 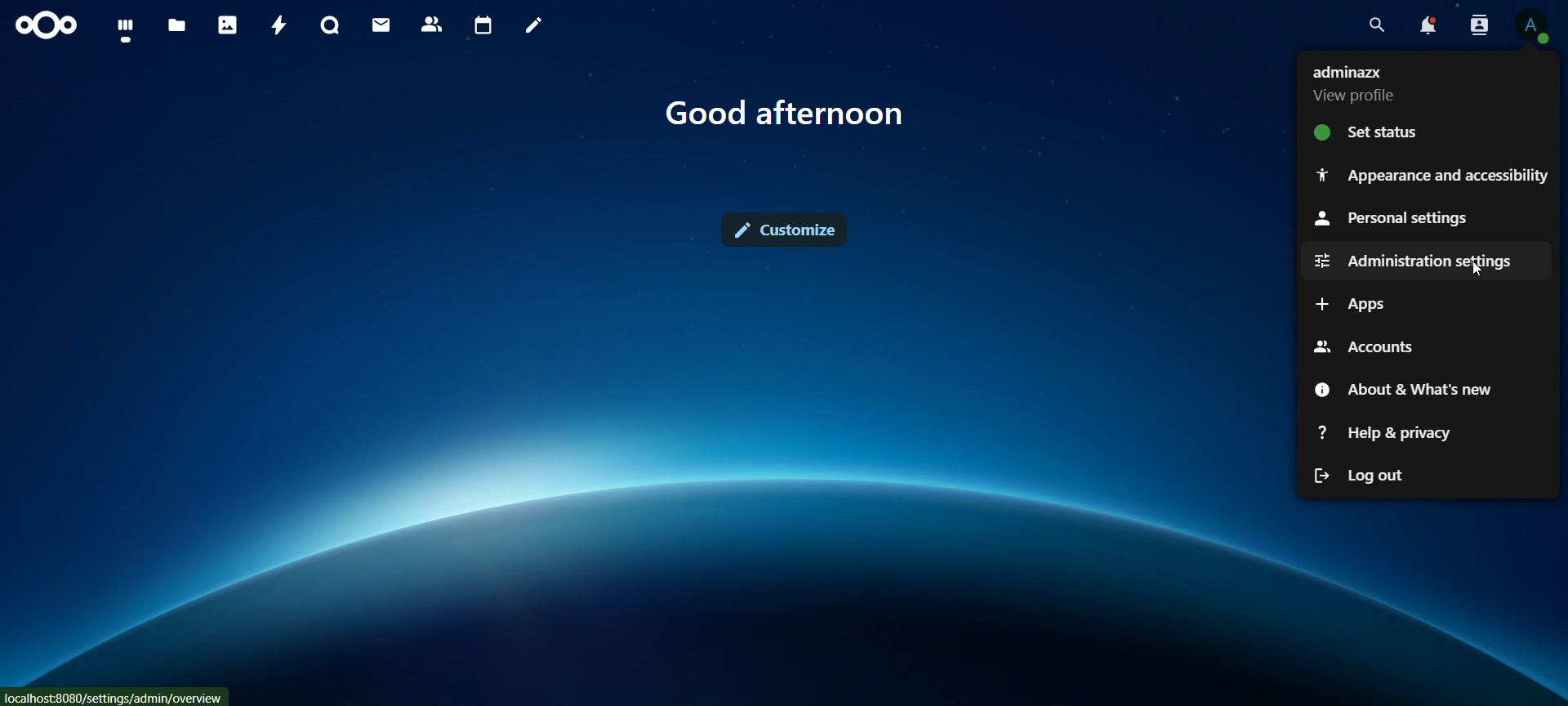 I want to click on administration settings, so click(x=1411, y=262).